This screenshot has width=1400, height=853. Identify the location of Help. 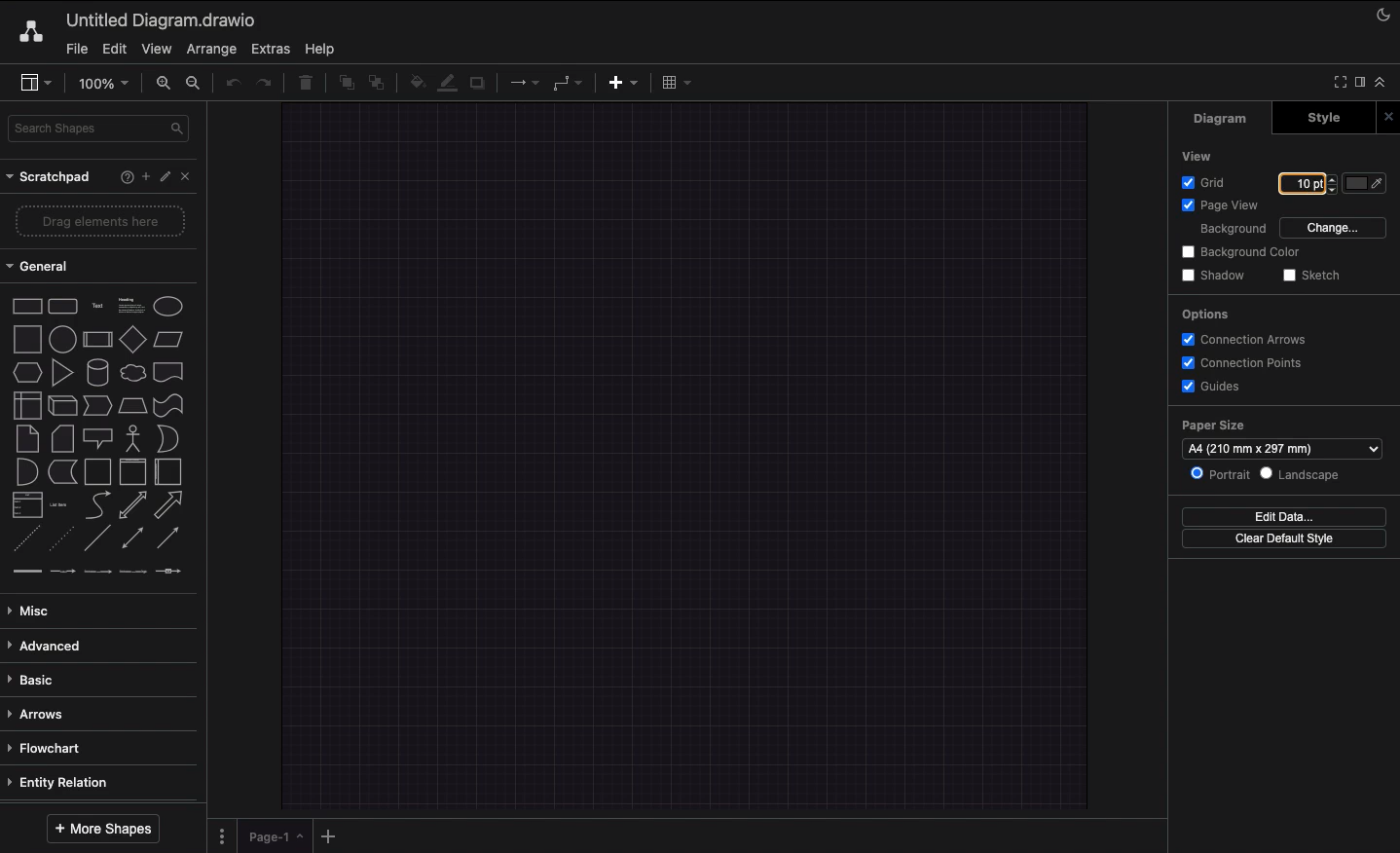
(117, 177).